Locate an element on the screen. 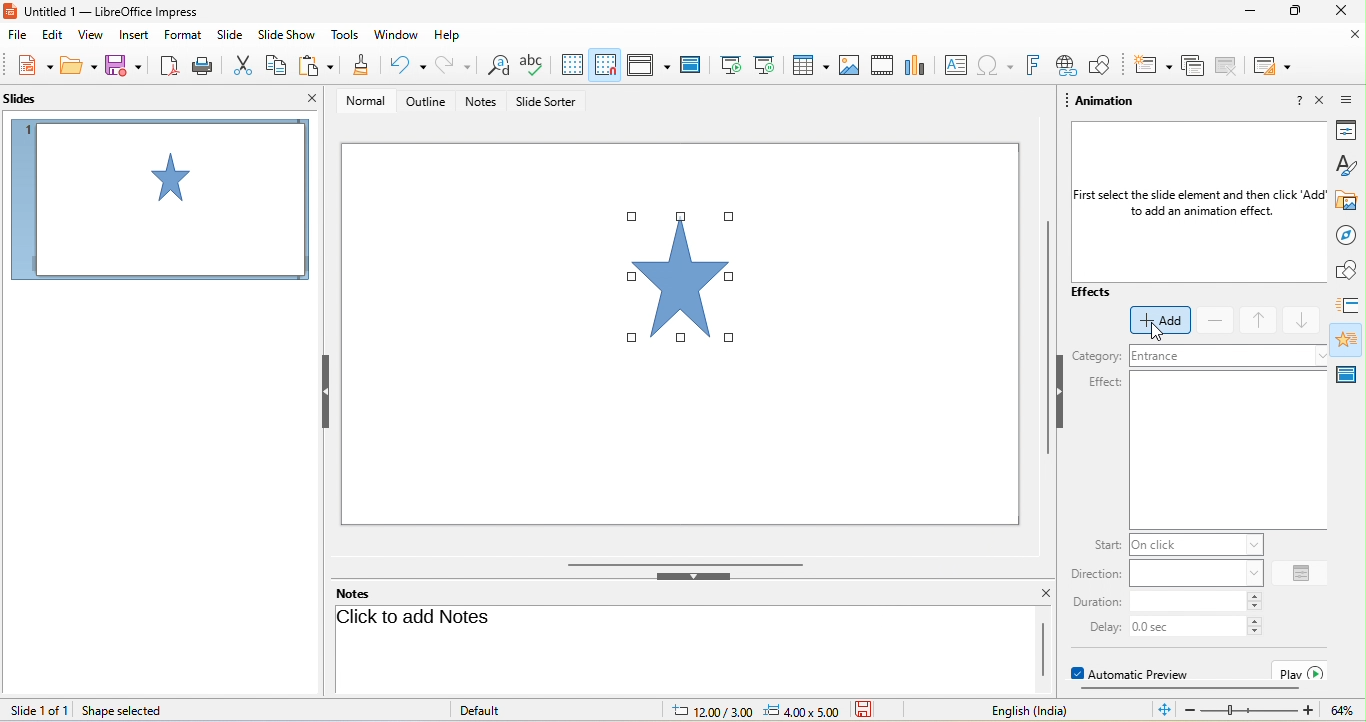 This screenshot has width=1366, height=722. special character is located at coordinates (994, 65).